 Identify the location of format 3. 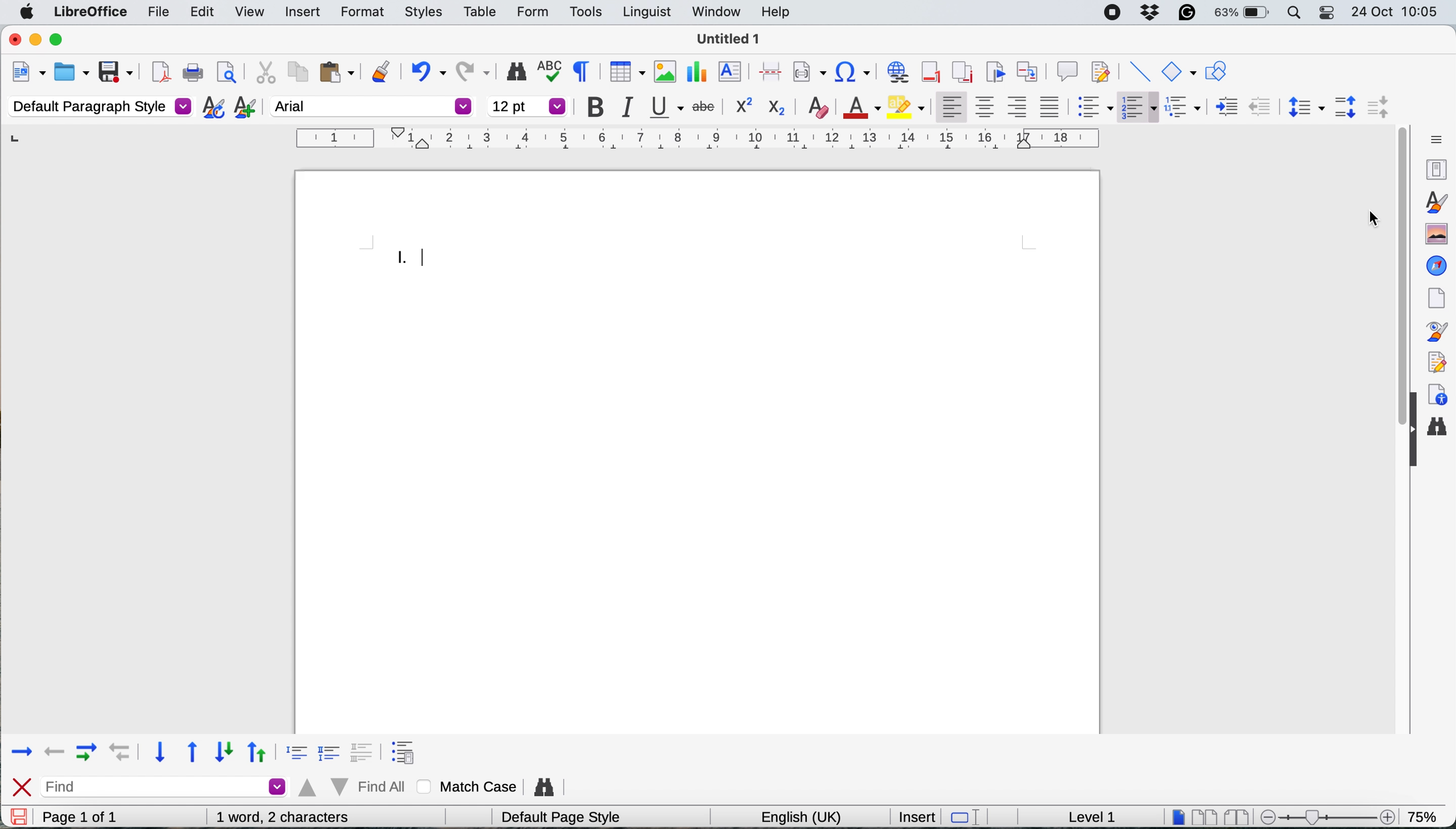
(366, 749).